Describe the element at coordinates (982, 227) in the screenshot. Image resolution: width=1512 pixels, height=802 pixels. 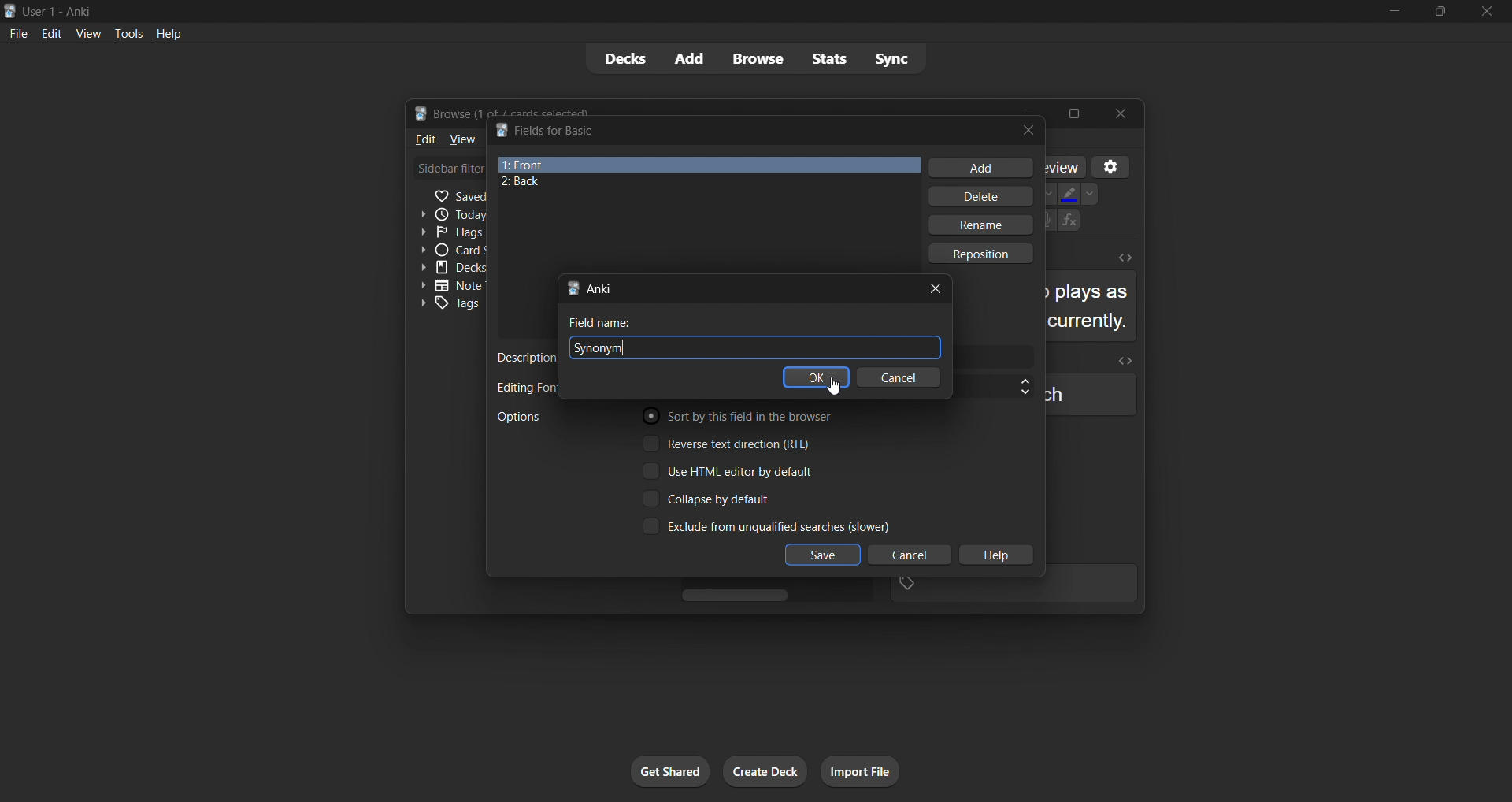
I see `rename field` at that location.